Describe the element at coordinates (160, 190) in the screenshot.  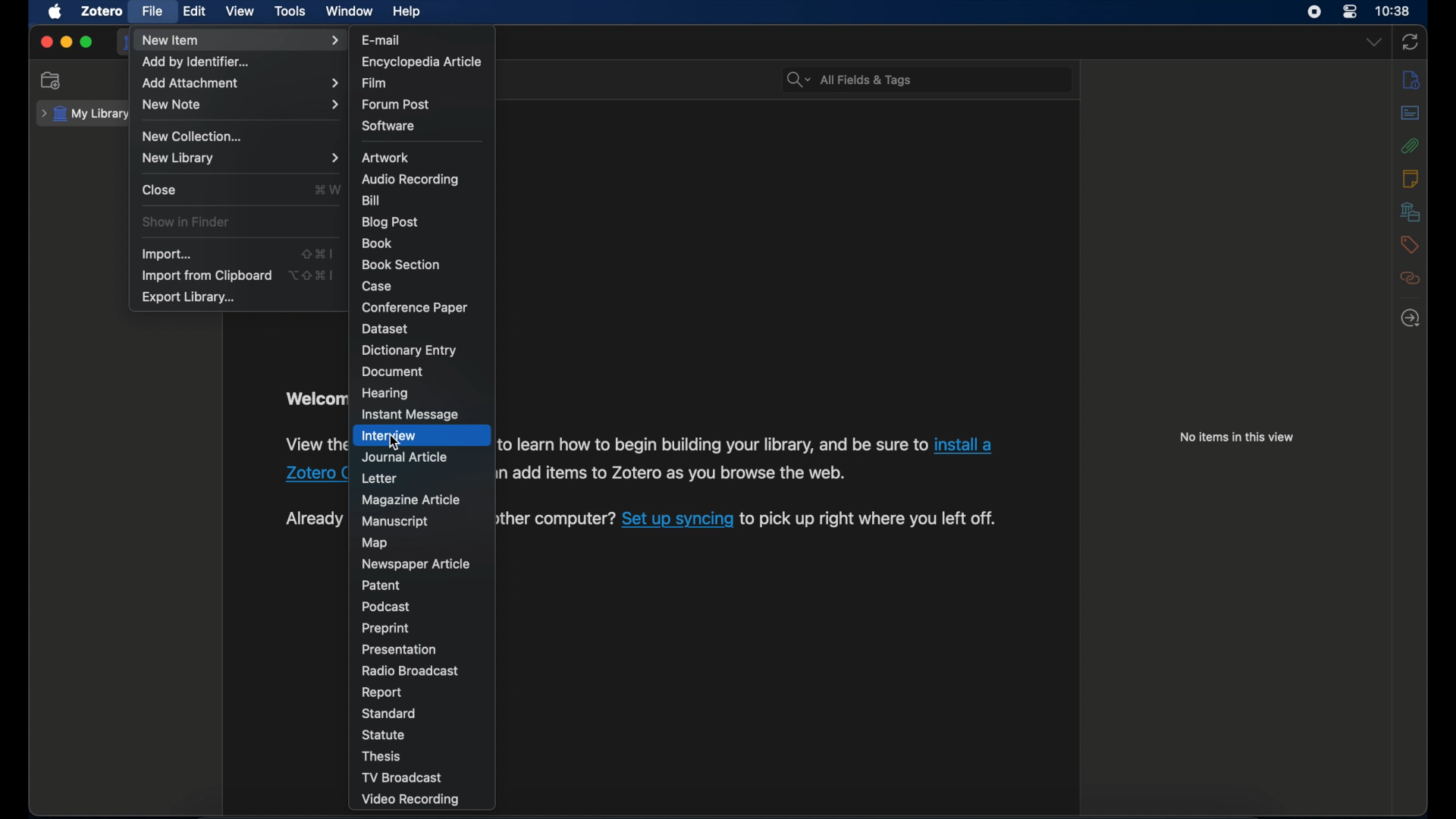
I see `close` at that location.